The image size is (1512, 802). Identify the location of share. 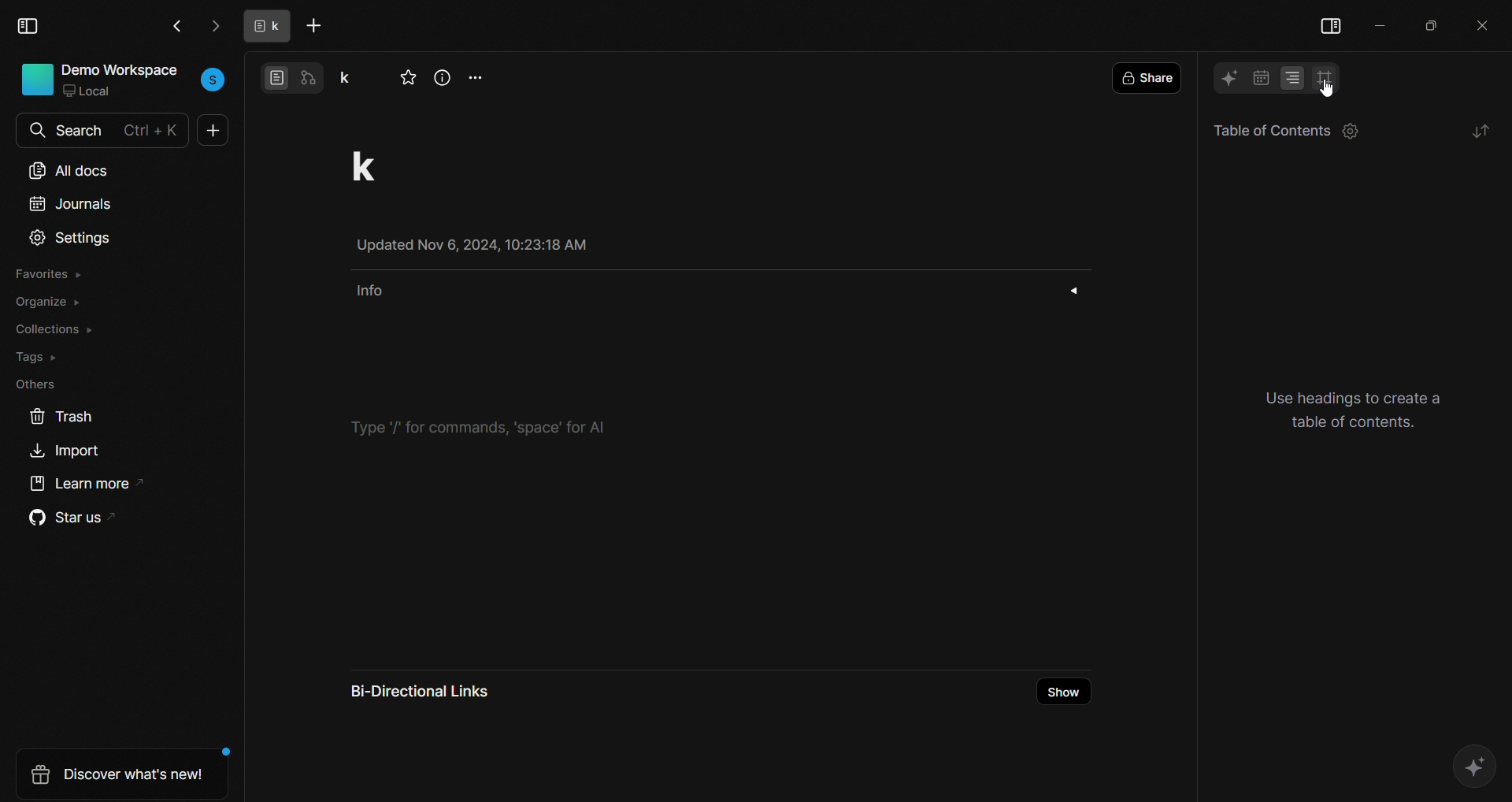
(1151, 77).